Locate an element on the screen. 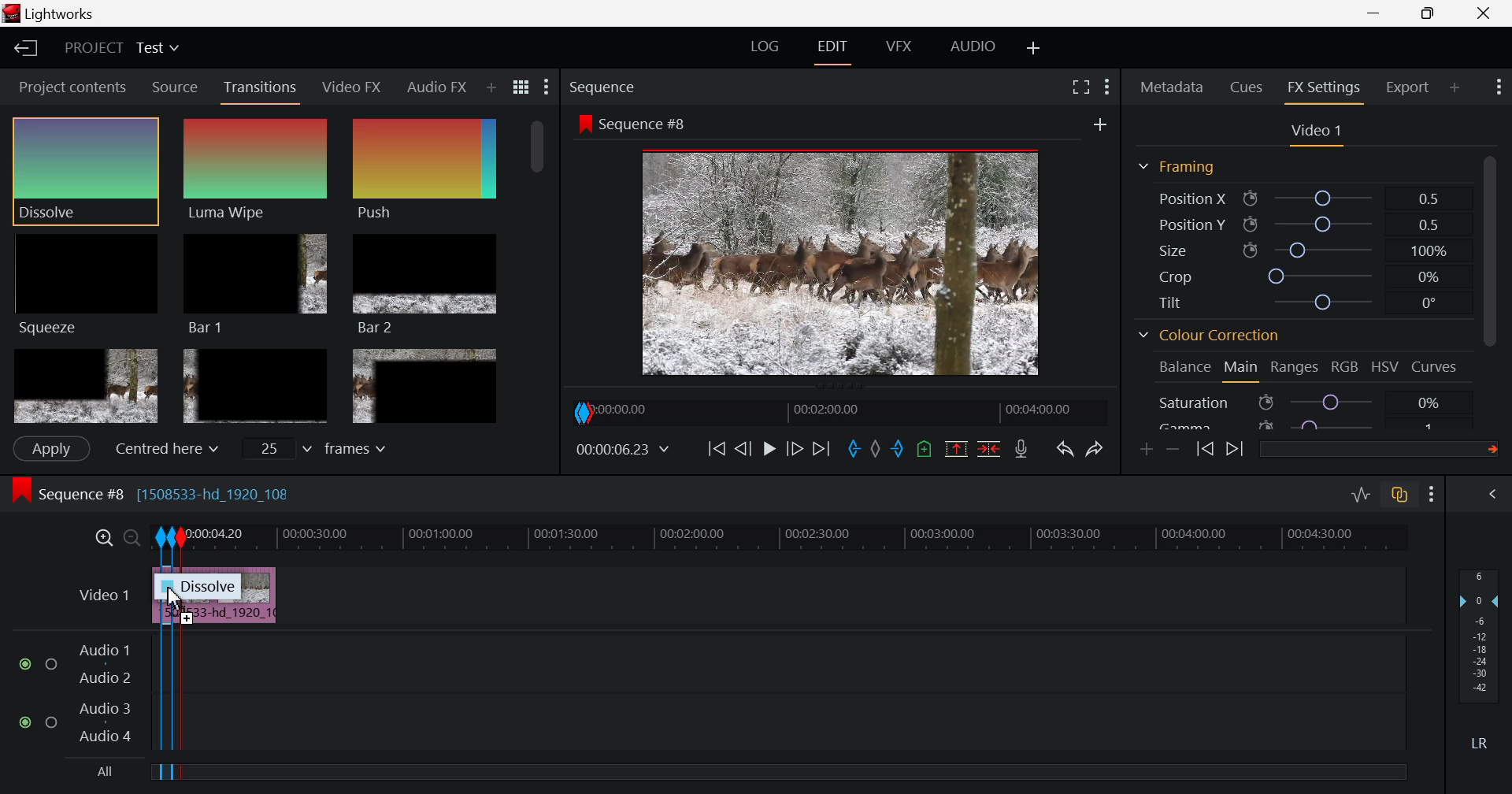 The image size is (1512, 794). Go Forward is located at coordinates (795, 451).